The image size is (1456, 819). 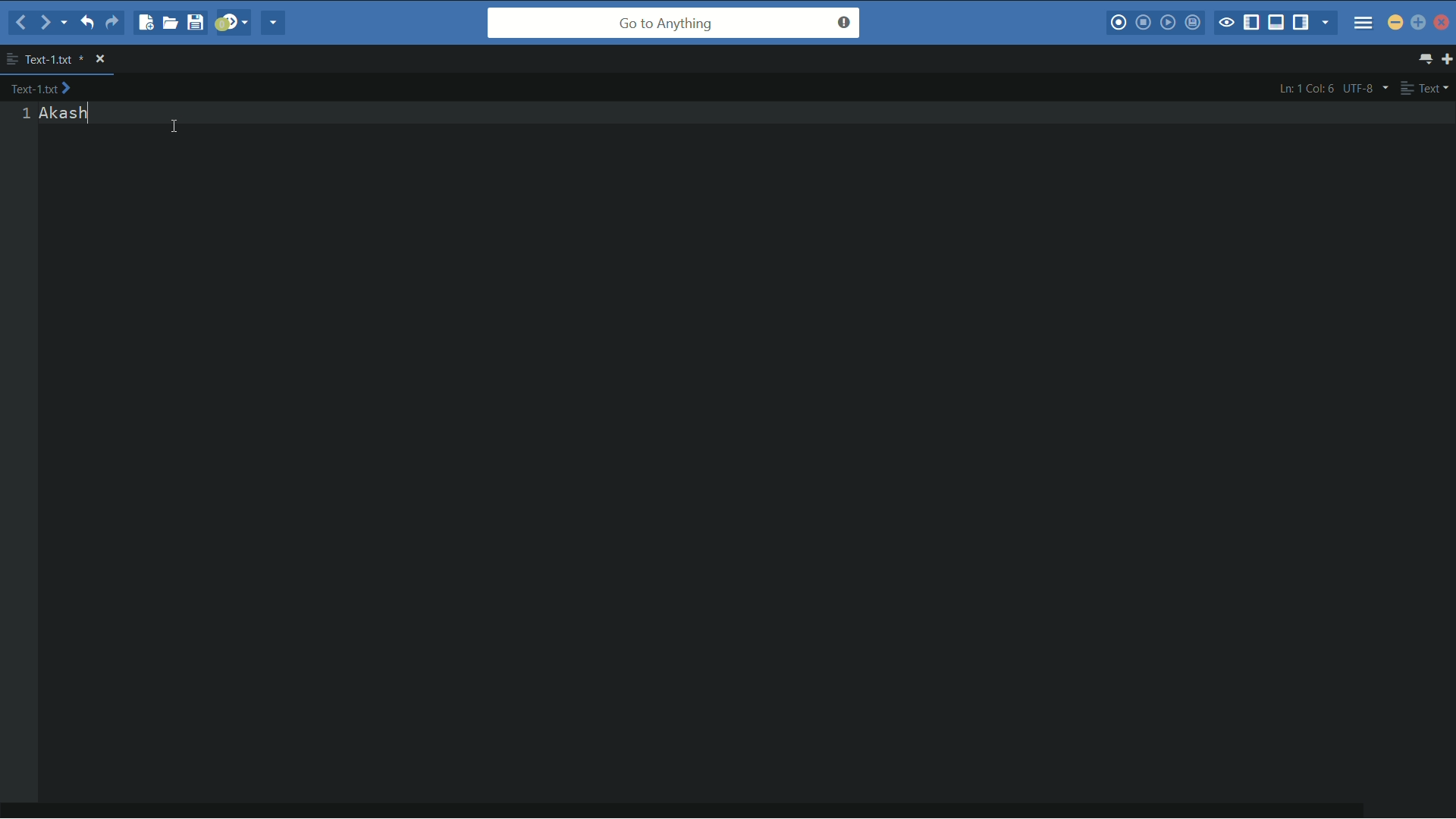 I want to click on jump to next syntax checking result, so click(x=231, y=23).